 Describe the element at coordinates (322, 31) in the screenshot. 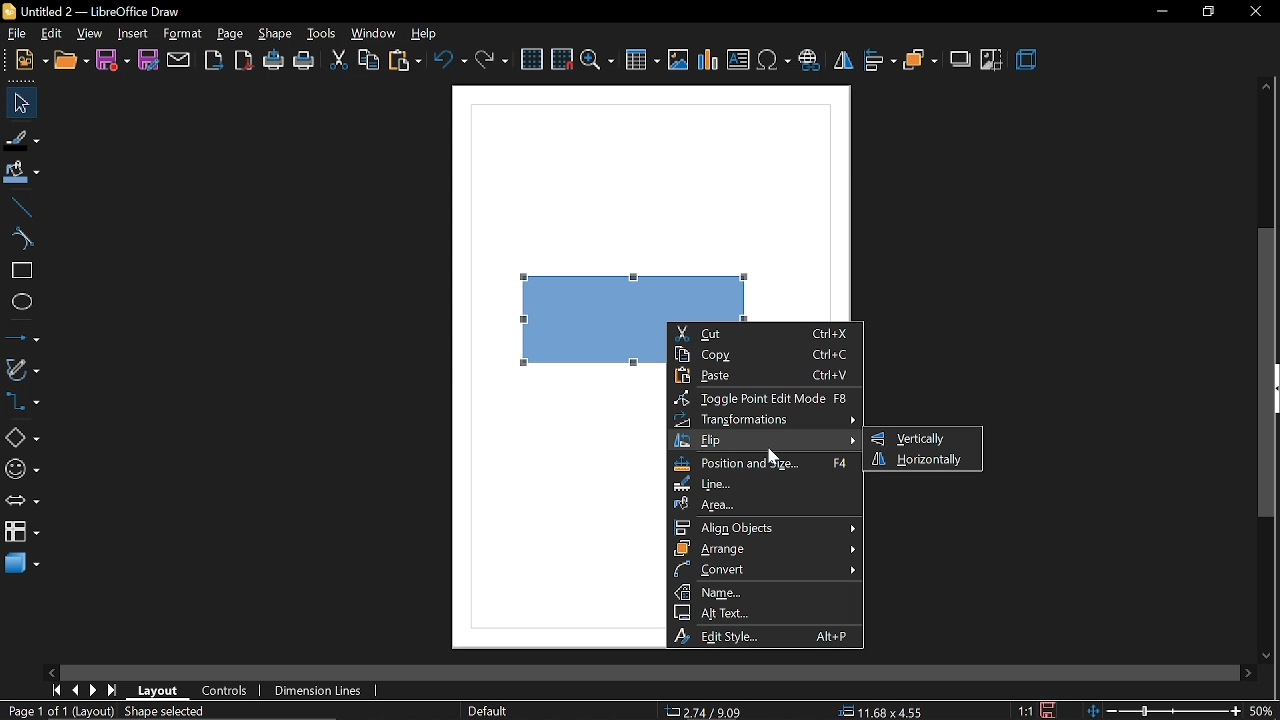

I see `tools` at that location.